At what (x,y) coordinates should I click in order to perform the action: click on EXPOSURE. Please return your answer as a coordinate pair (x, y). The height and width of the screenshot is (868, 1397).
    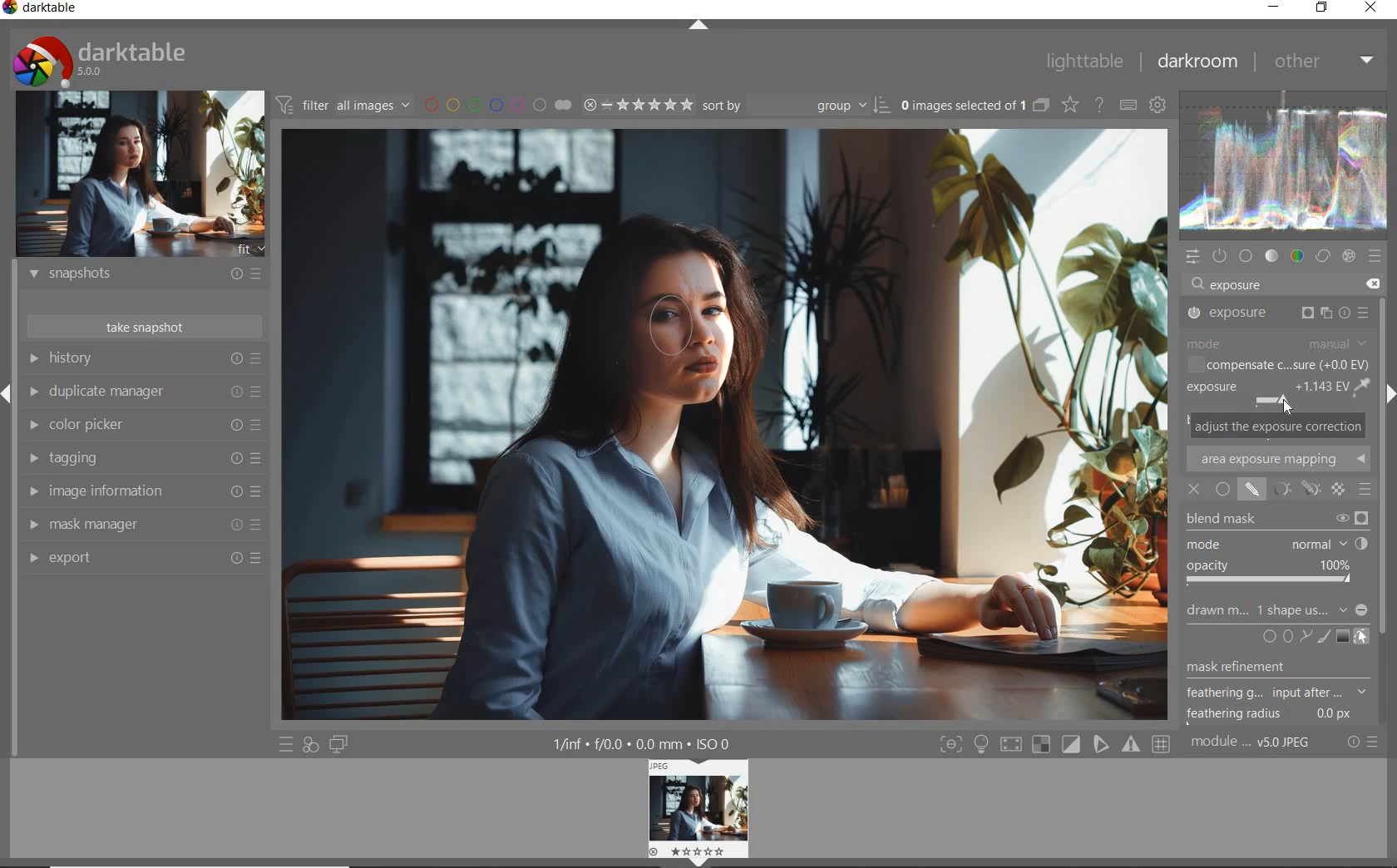
    Looking at the image, I should click on (1276, 314).